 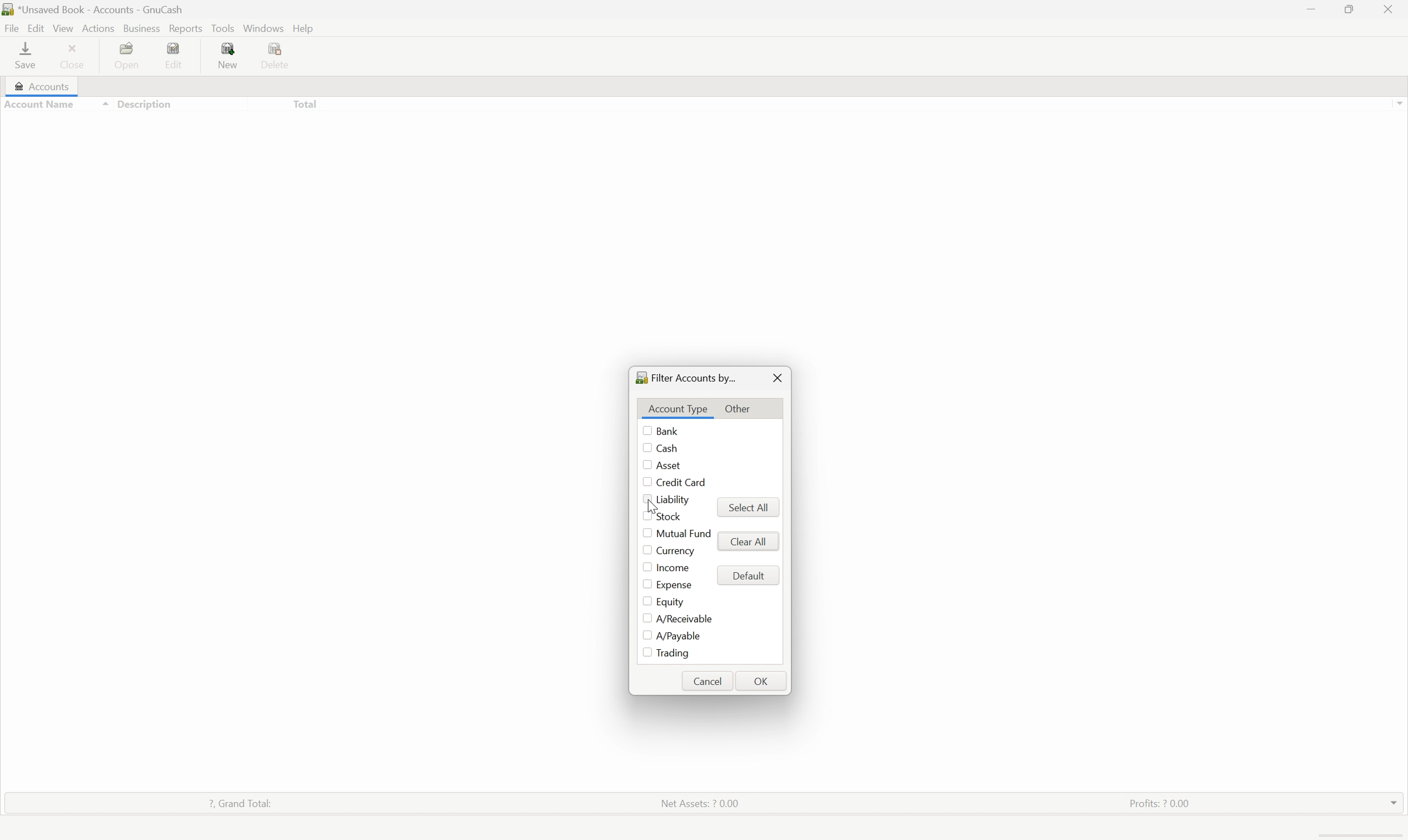 What do you see at coordinates (674, 585) in the screenshot?
I see `Expense` at bounding box center [674, 585].